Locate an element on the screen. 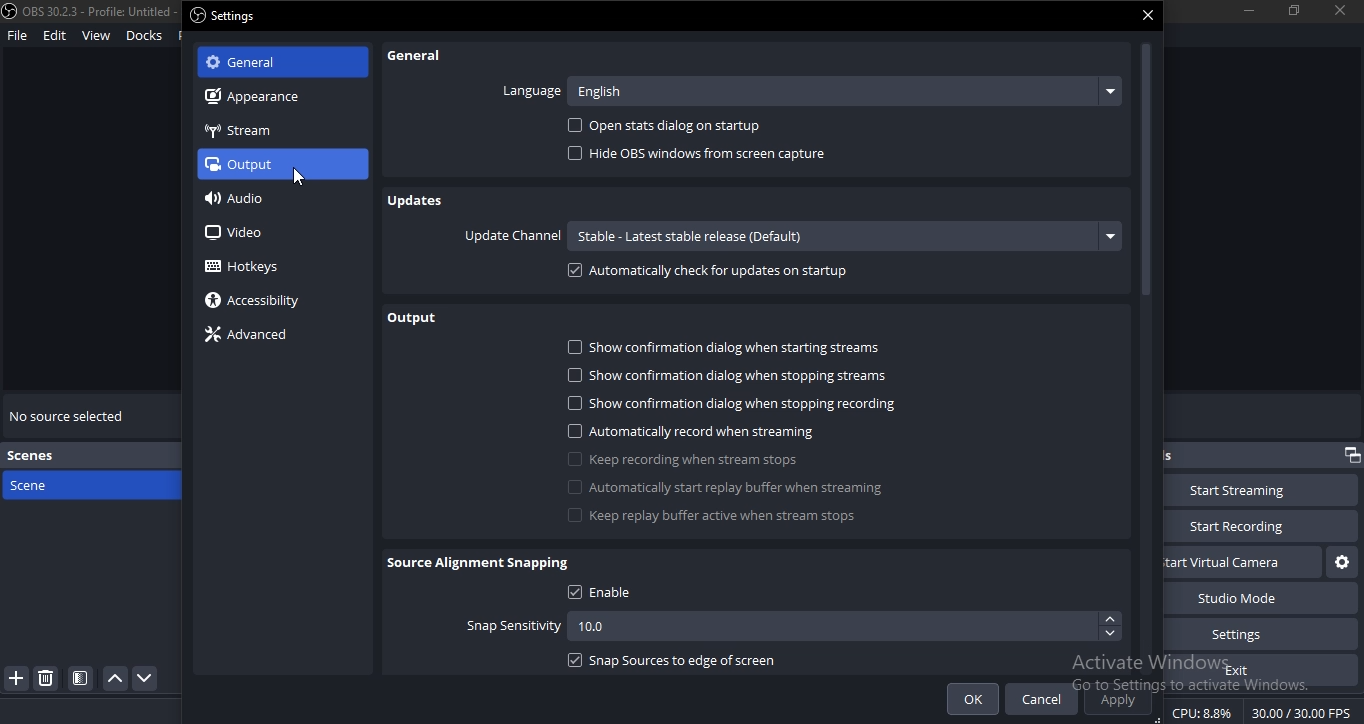 The image size is (1364, 724). CPU-8.8% 30.00 / 30.00 EPS is located at coordinates (1265, 708).